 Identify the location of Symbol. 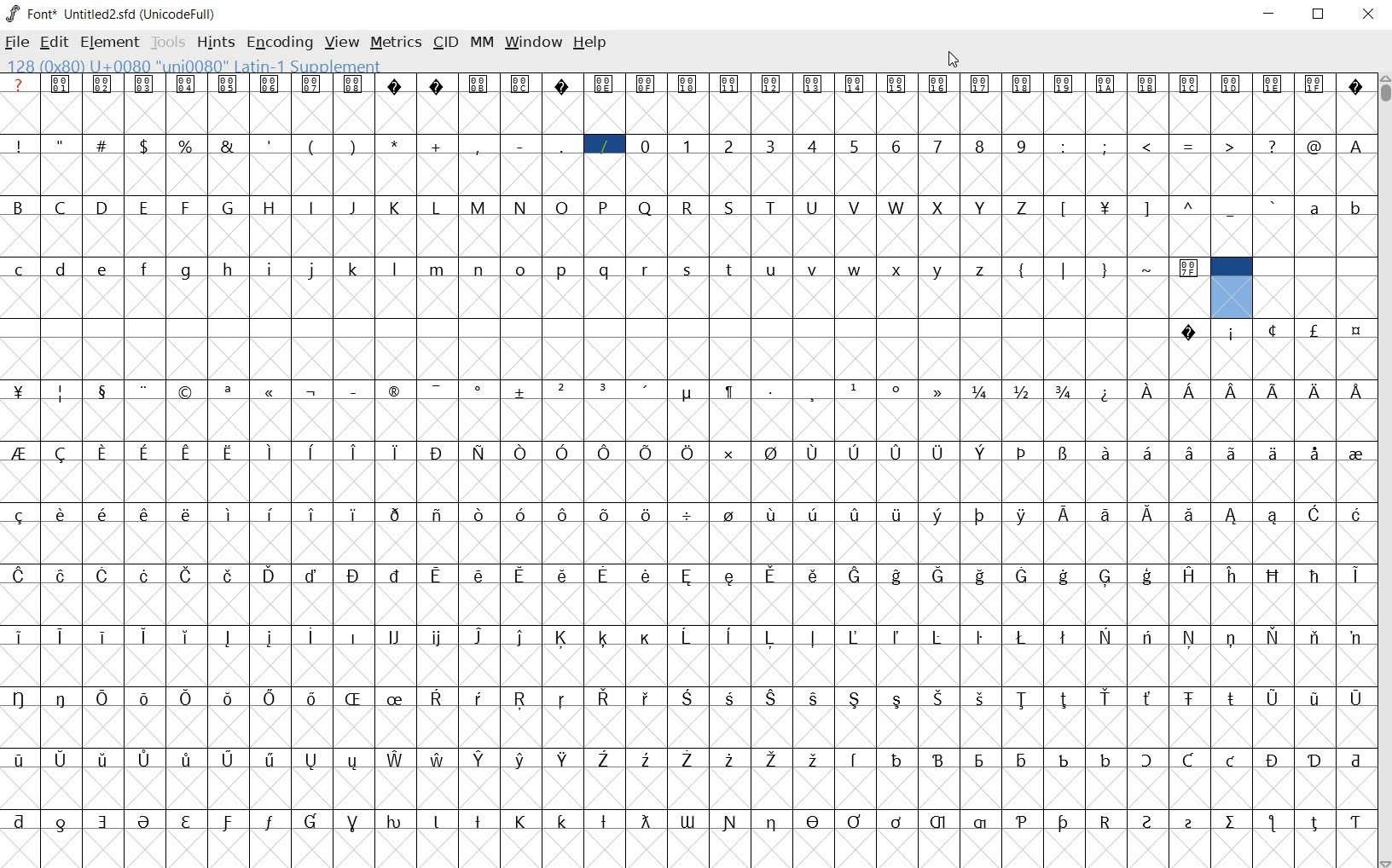
(312, 635).